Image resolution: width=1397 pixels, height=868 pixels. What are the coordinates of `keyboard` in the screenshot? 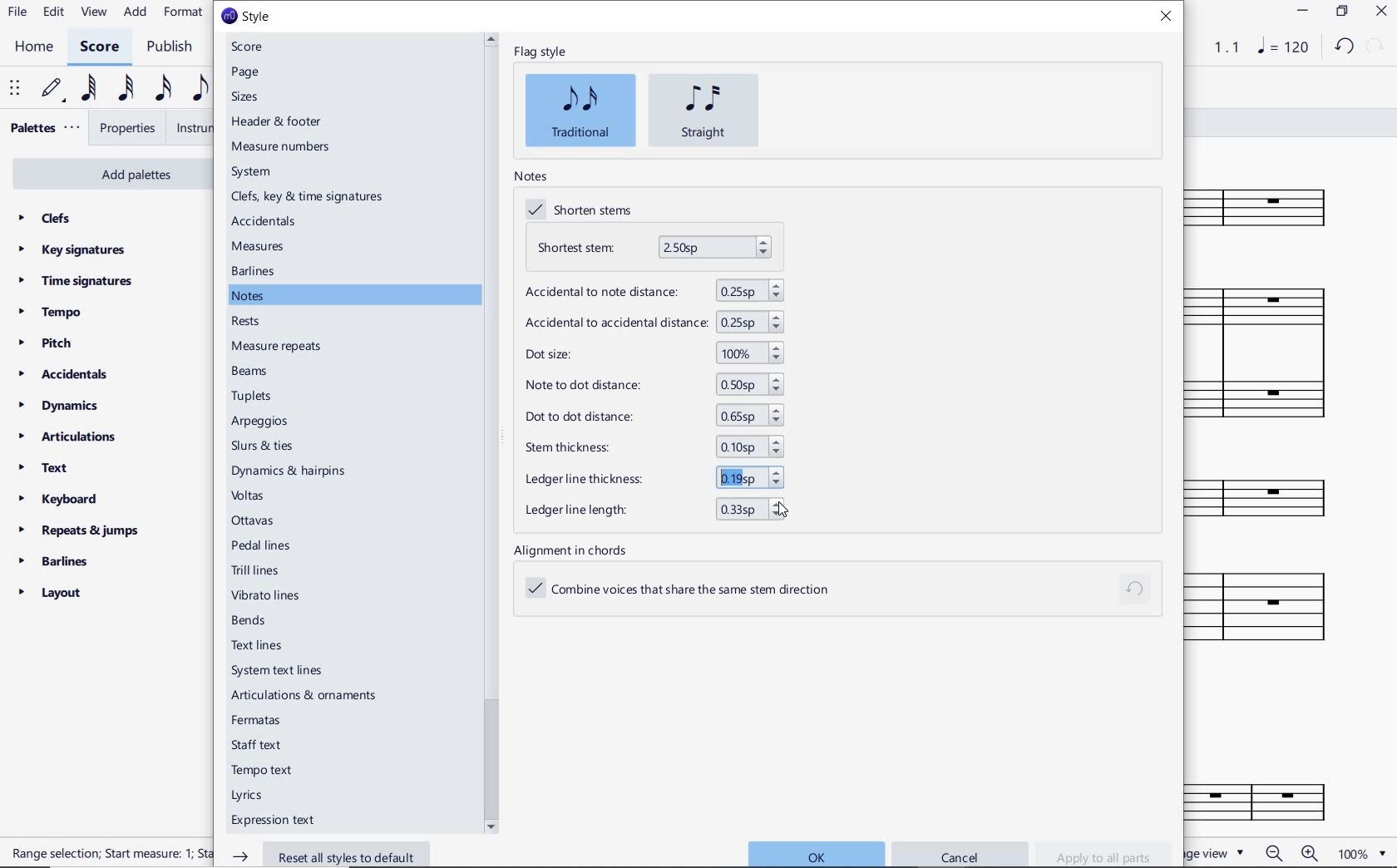 It's located at (61, 499).